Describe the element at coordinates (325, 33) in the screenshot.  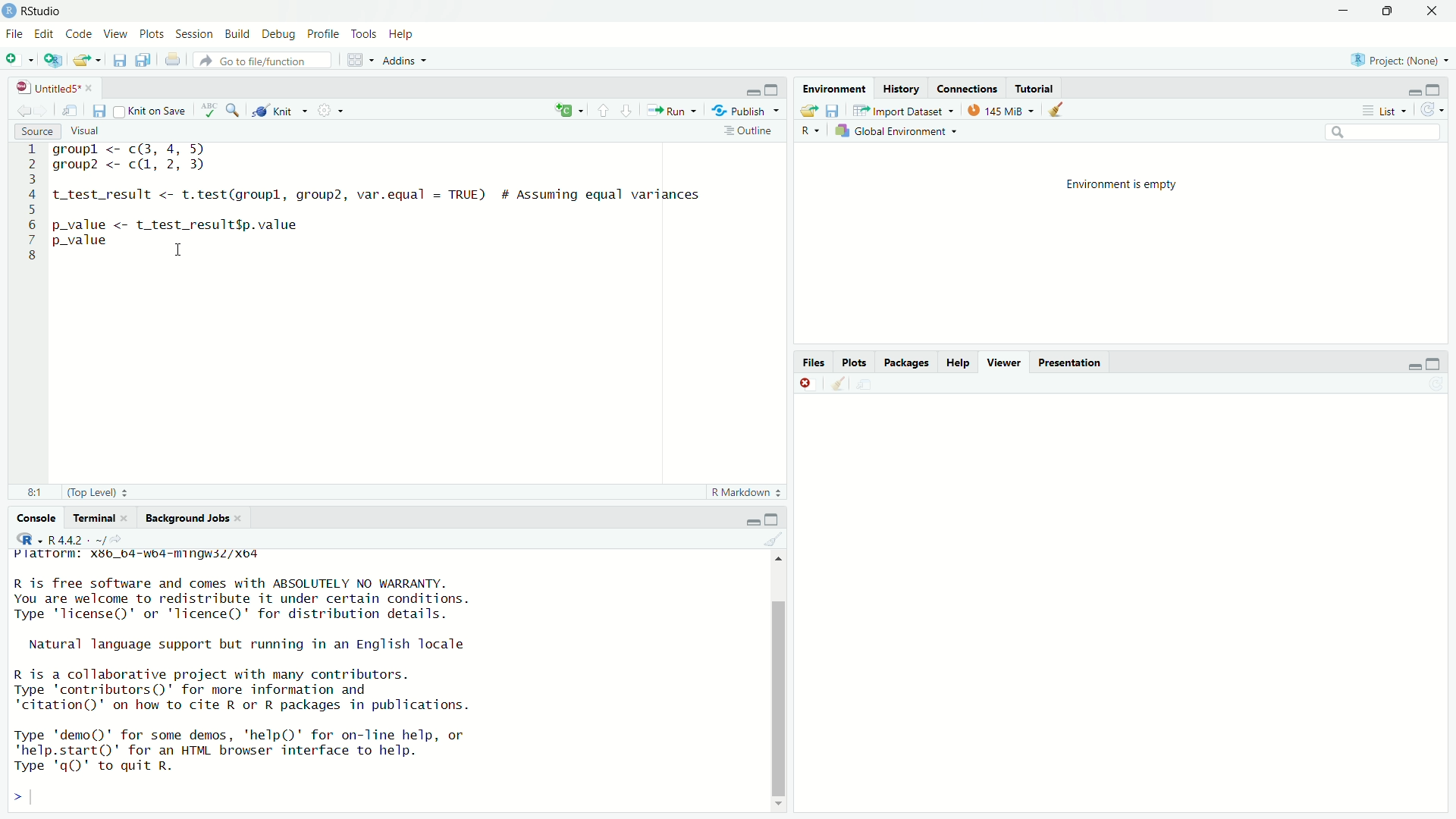
I see `Profile` at that location.